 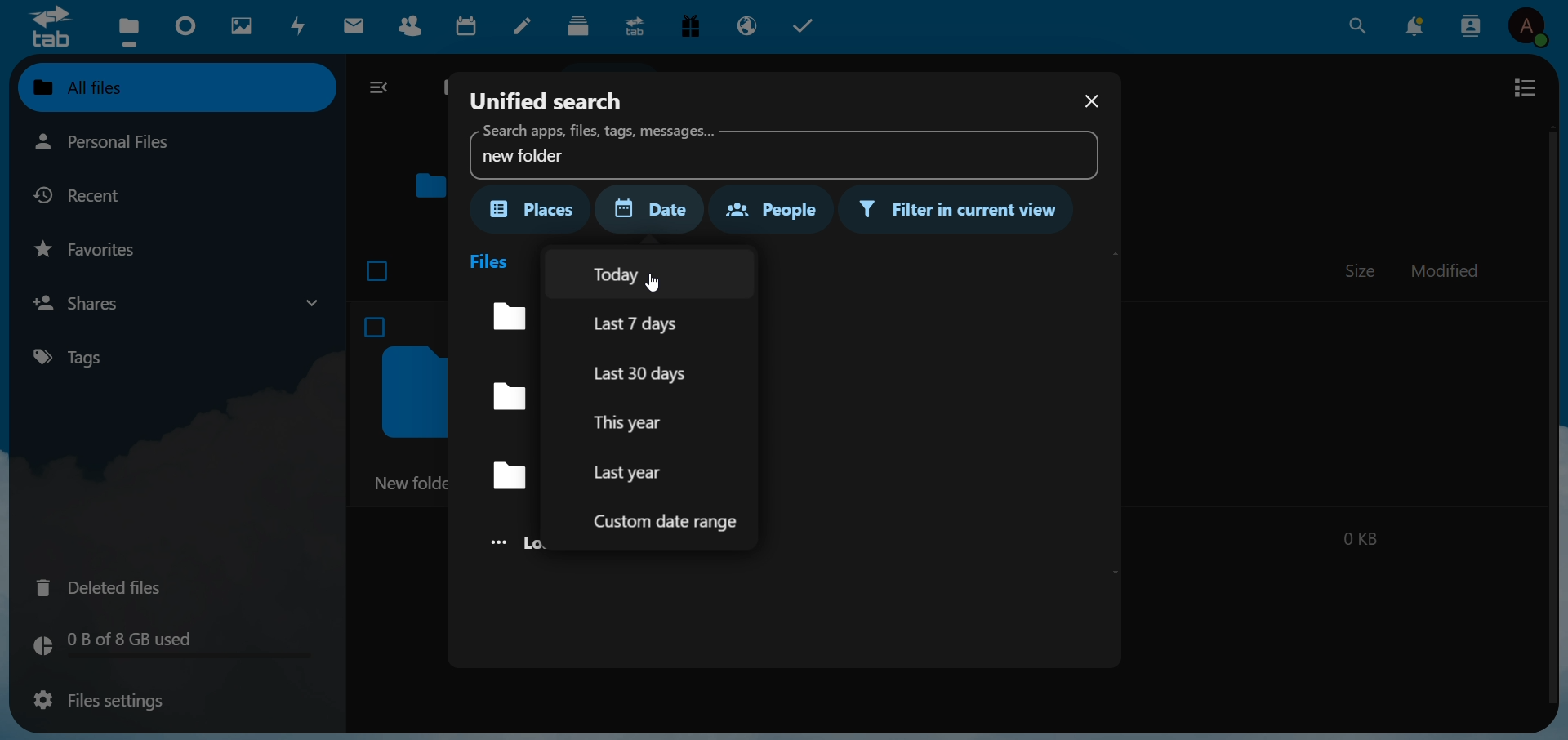 What do you see at coordinates (961, 211) in the screenshot?
I see `filter in current view` at bounding box center [961, 211].